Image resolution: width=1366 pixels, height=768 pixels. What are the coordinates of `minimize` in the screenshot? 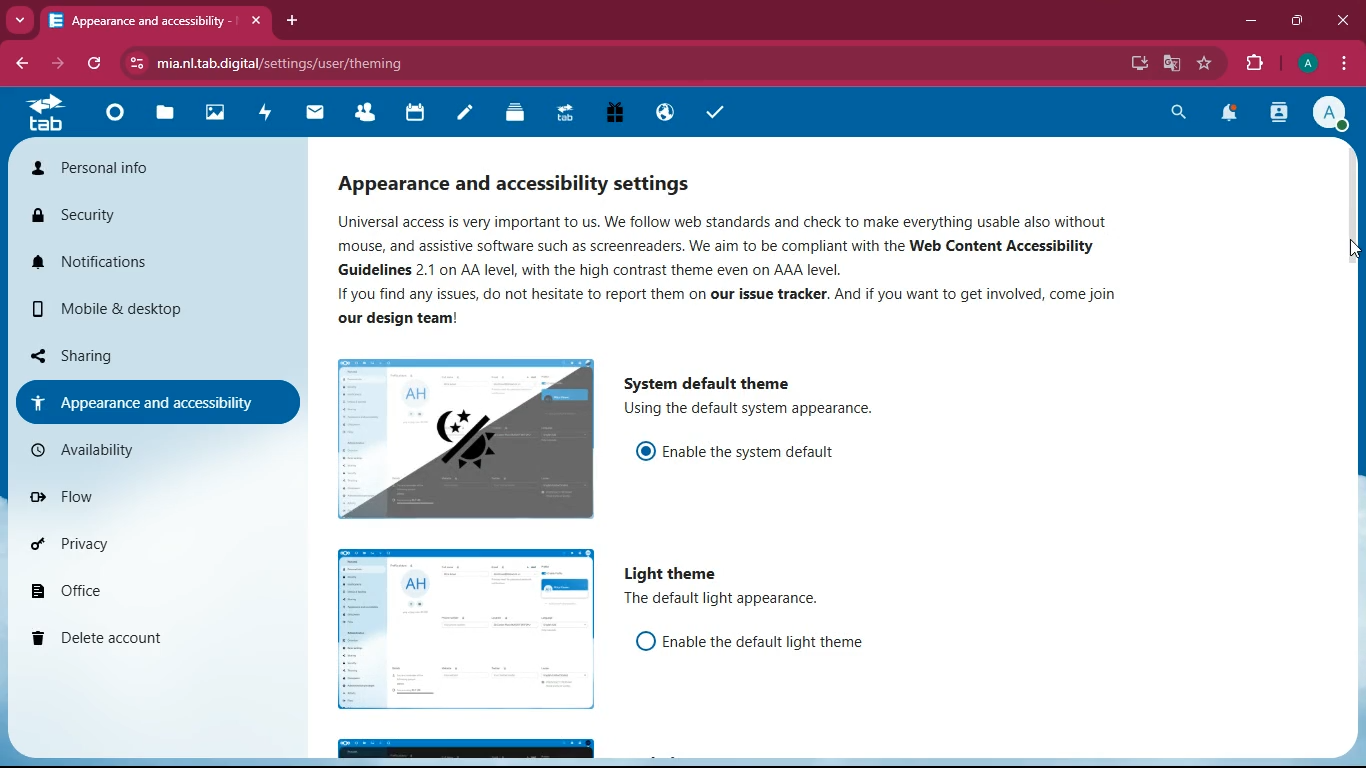 It's located at (1247, 23).